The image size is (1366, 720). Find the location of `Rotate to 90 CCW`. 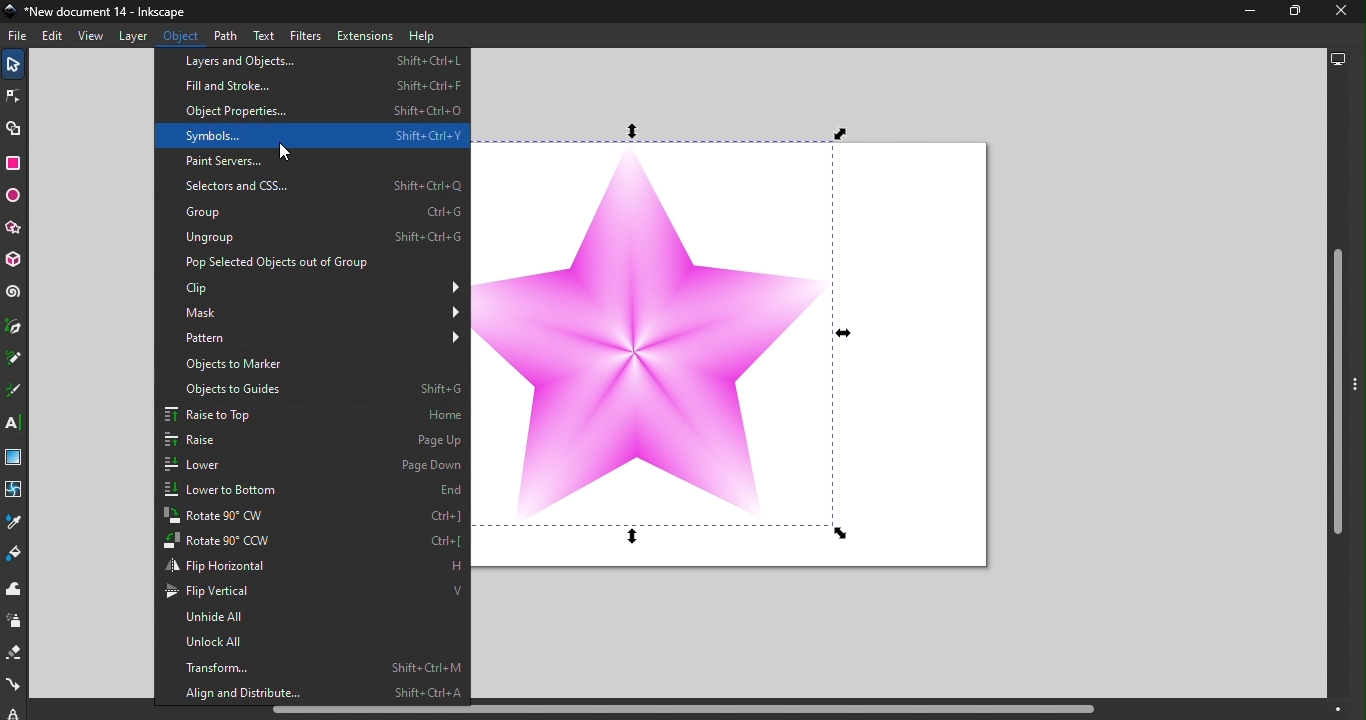

Rotate to 90 CCW is located at coordinates (313, 543).